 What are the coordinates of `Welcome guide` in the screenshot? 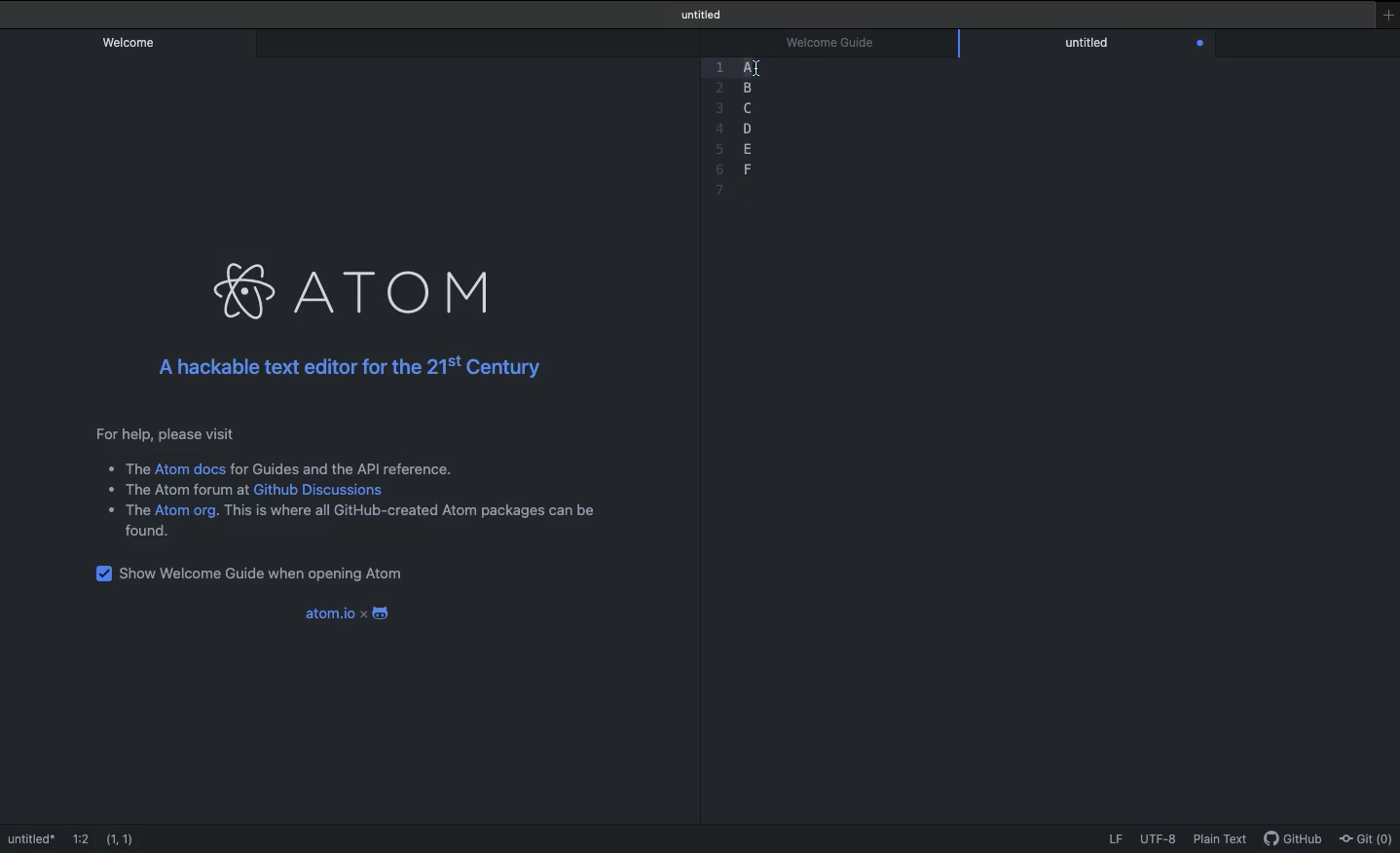 It's located at (831, 44).